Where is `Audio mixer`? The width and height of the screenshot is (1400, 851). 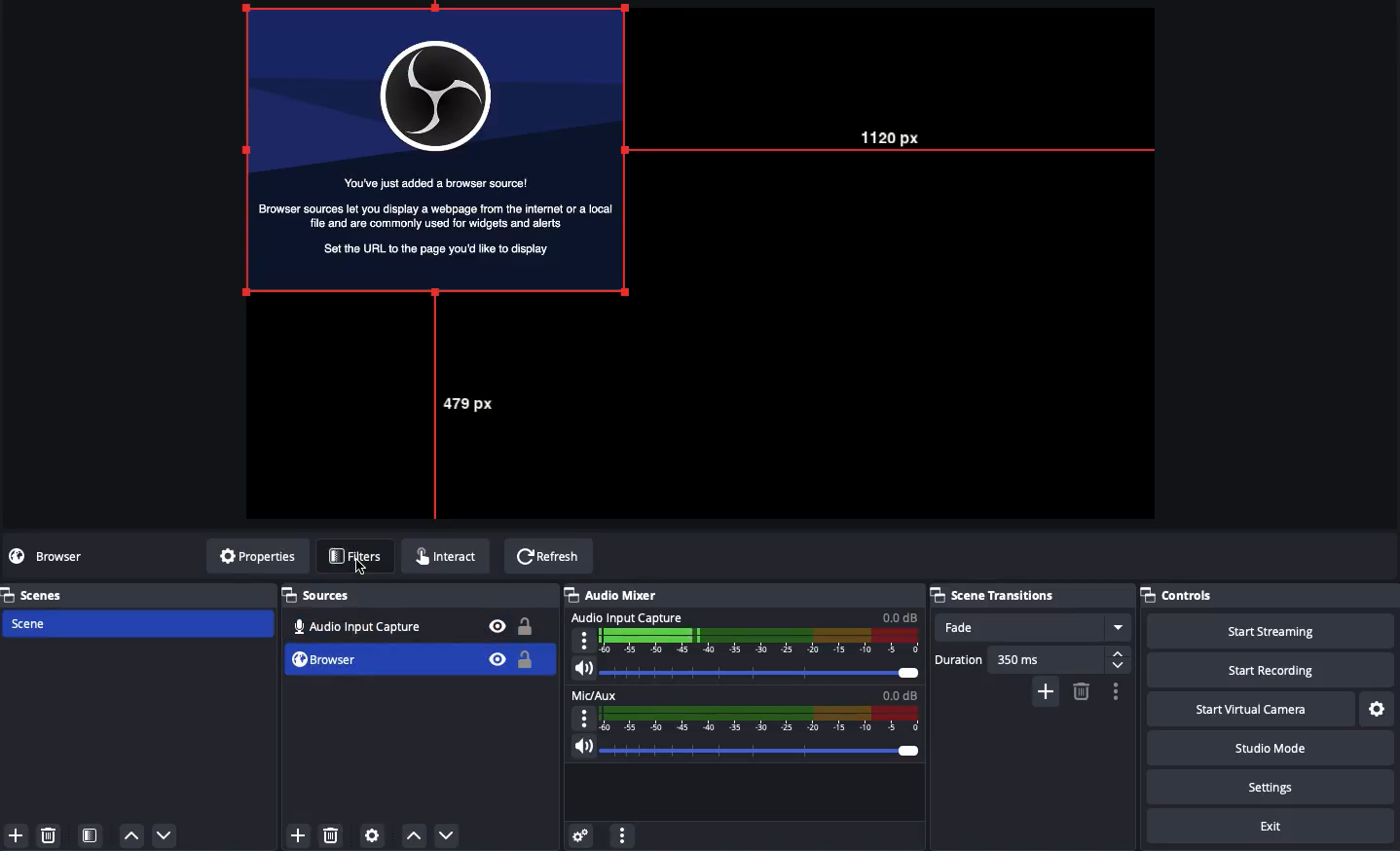
Audio mixer is located at coordinates (621, 594).